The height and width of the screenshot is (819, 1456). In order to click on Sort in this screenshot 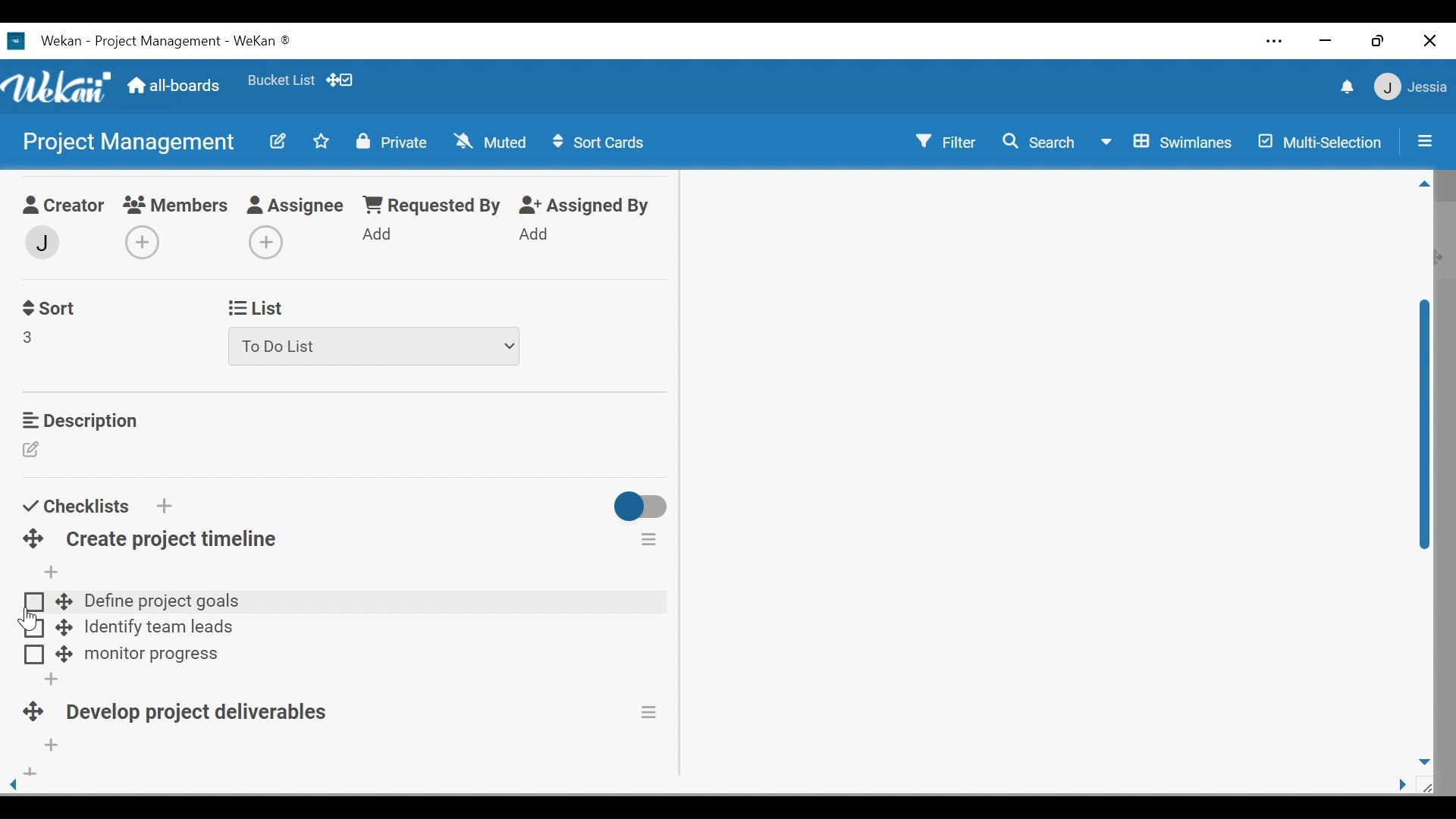, I will do `click(48, 309)`.